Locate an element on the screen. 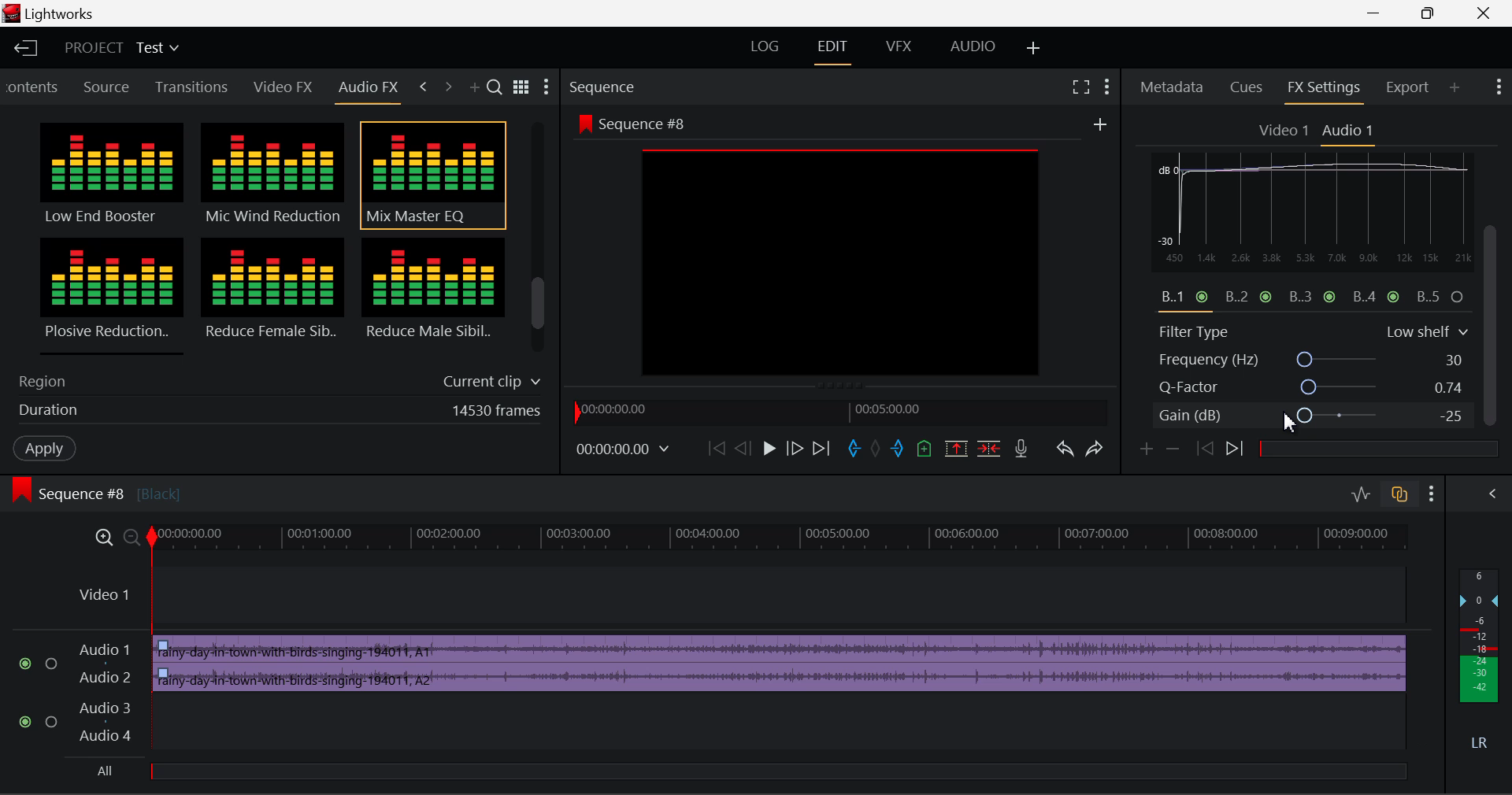  Remove all marks is located at coordinates (879, 449).